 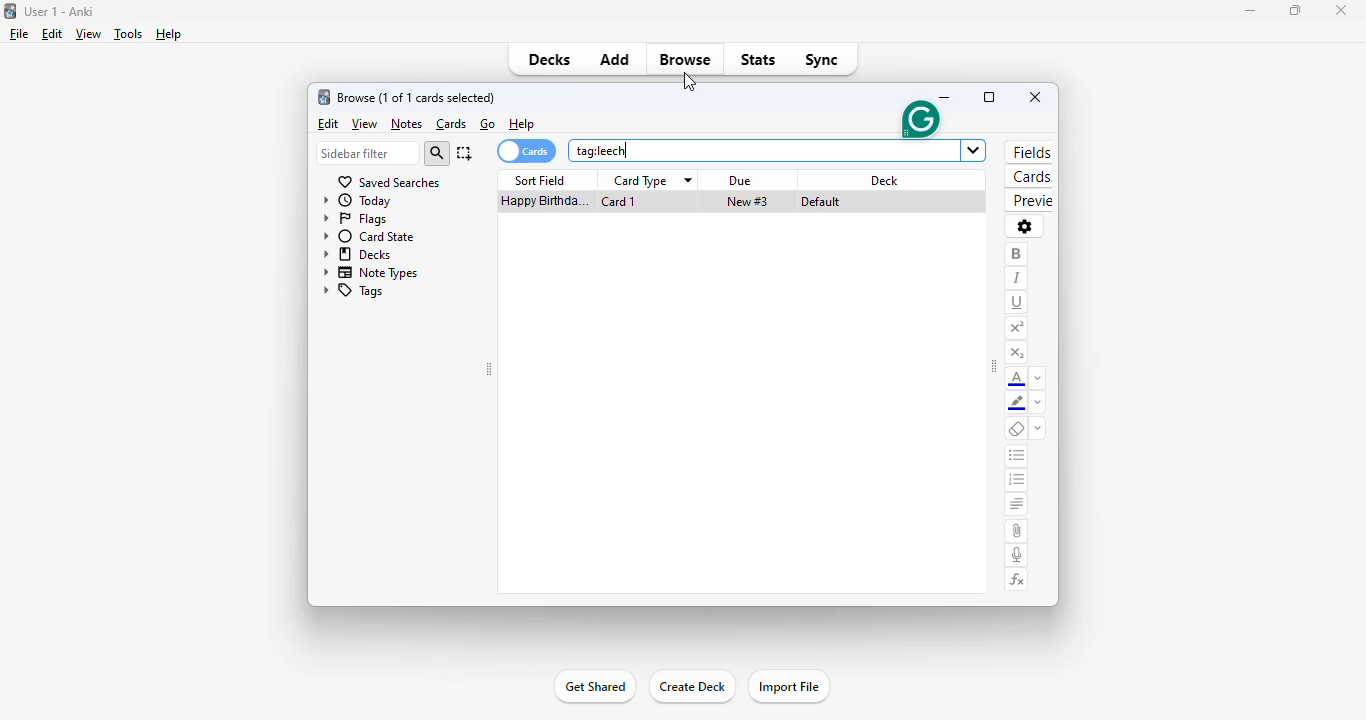 What do you see at coordinates (527, 151) in the screenshot?
I see `cards` at bounding box center [527, 151].